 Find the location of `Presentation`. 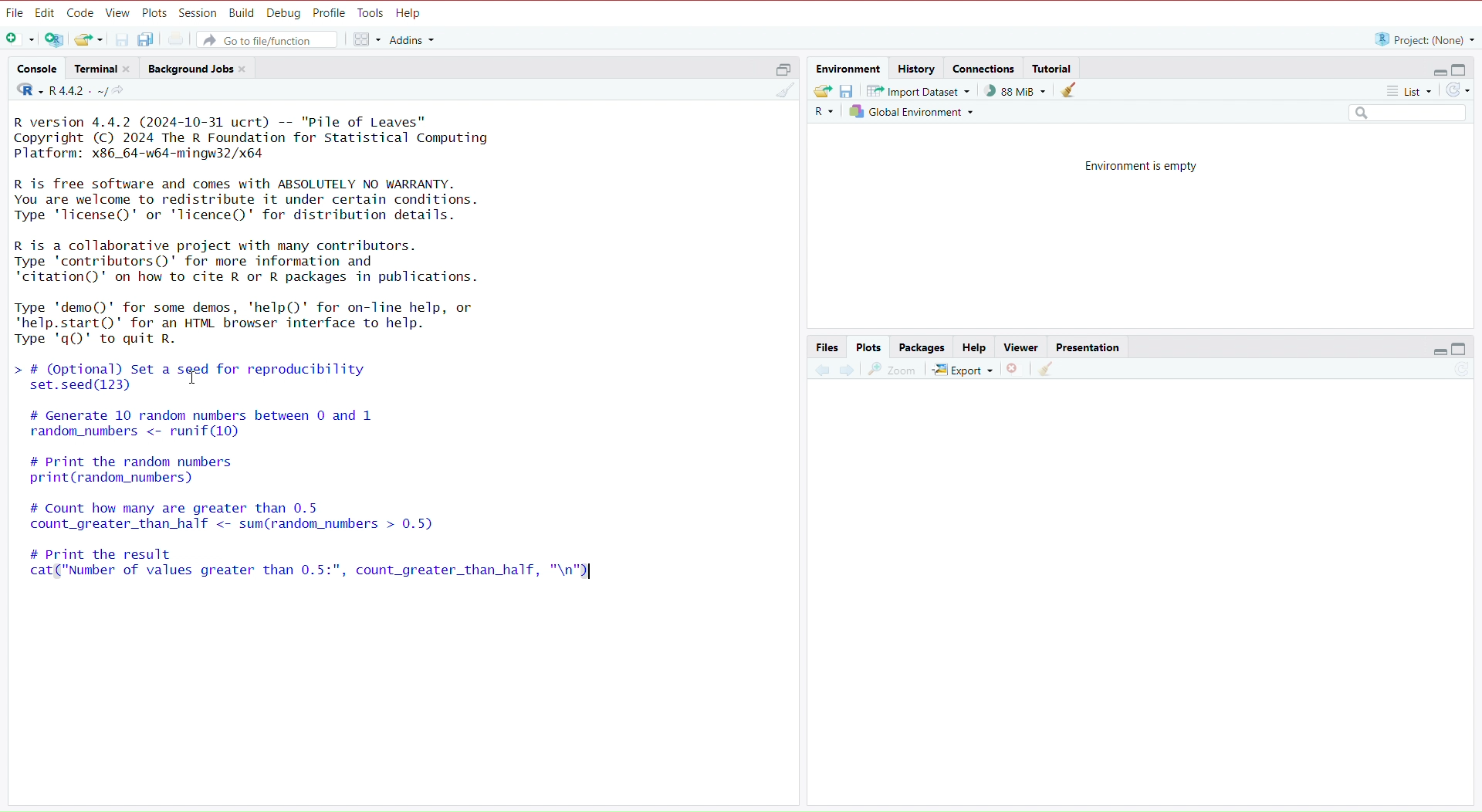

Presentation is located at coordinates (1089, 347).